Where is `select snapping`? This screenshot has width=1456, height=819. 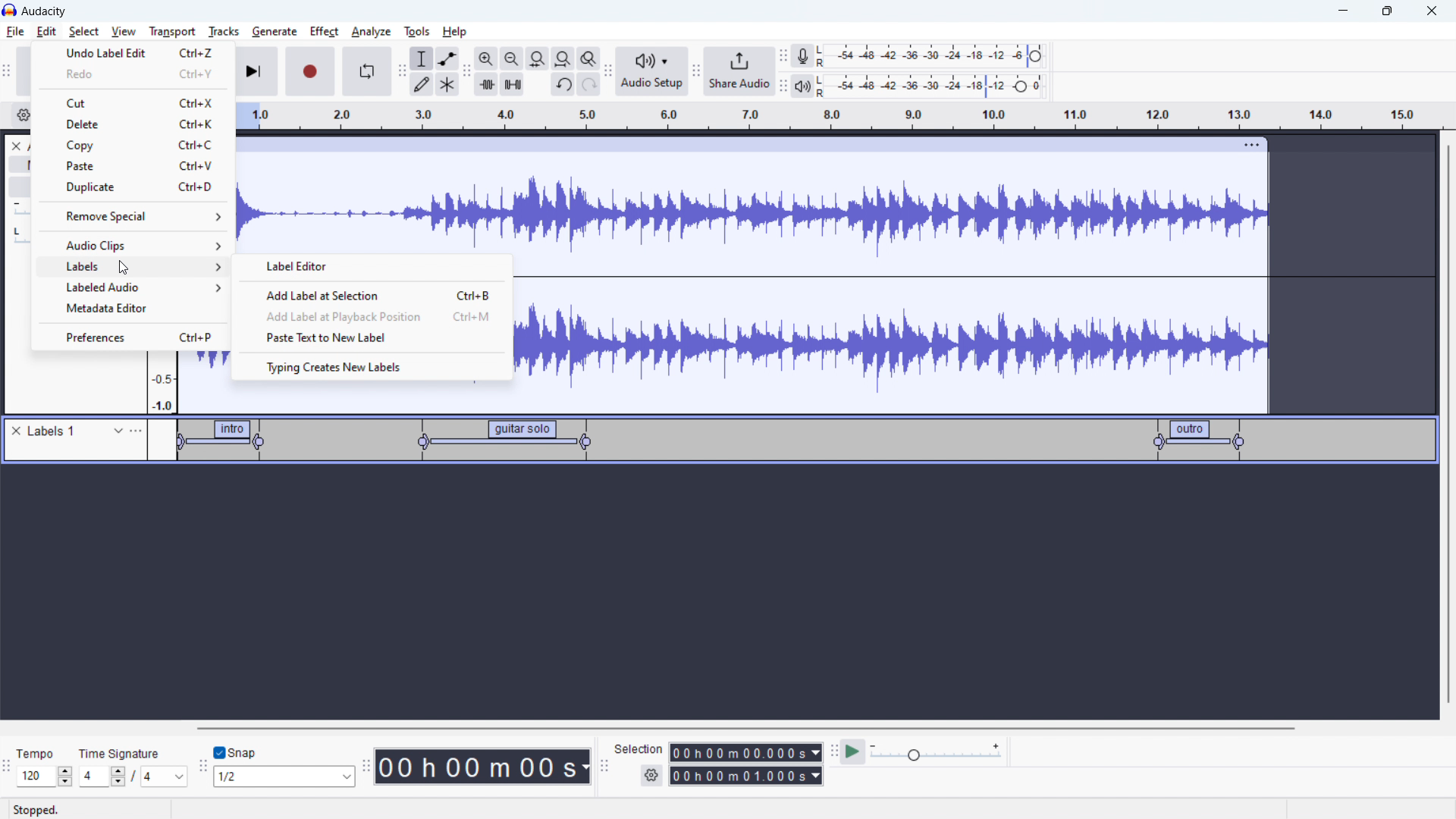
select snapping is located at coordinates (284, 776).